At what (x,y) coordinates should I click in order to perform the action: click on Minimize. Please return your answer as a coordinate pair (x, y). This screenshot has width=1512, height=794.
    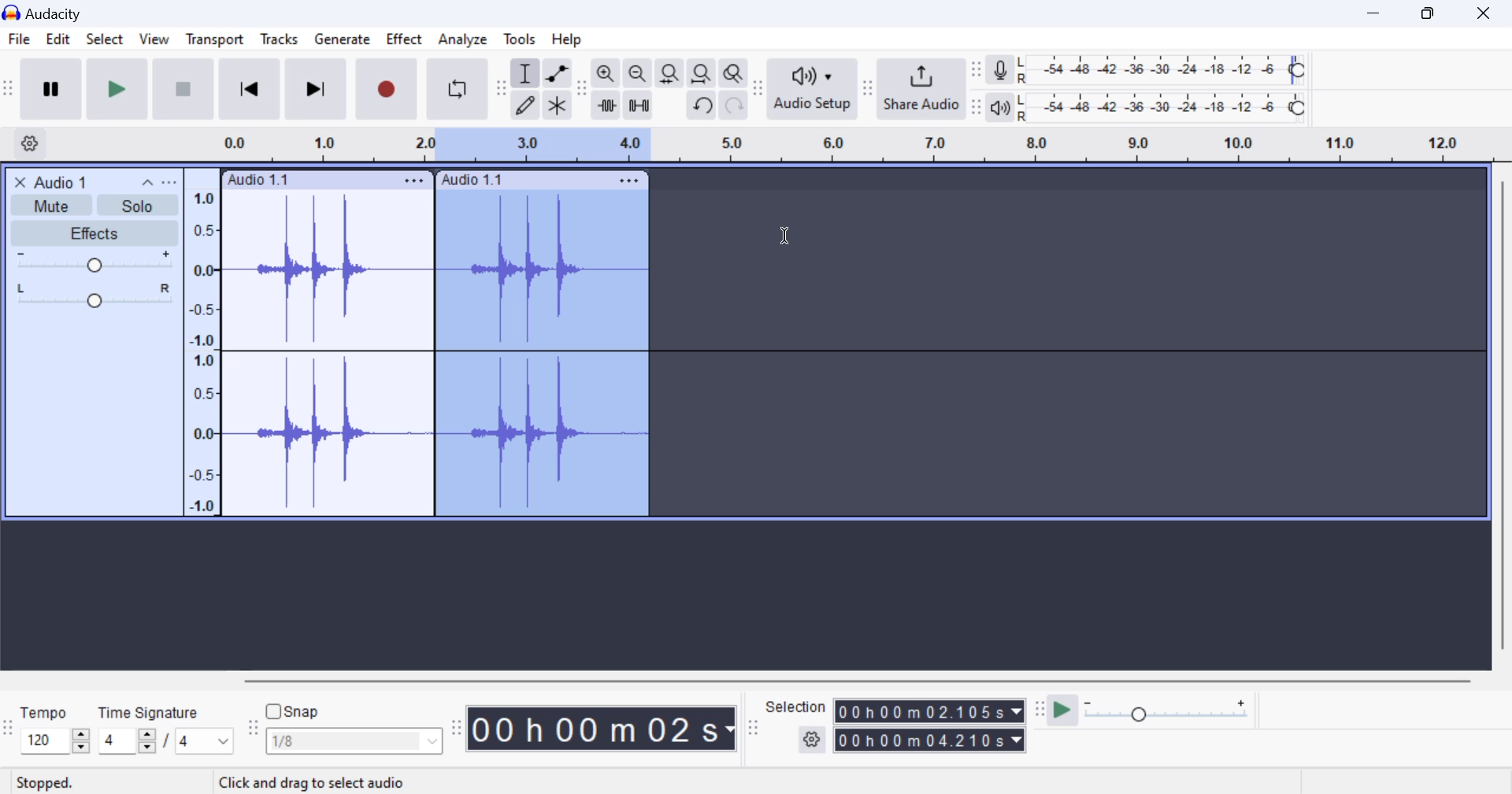
    Looking at the image, I should click on (1432, 12).